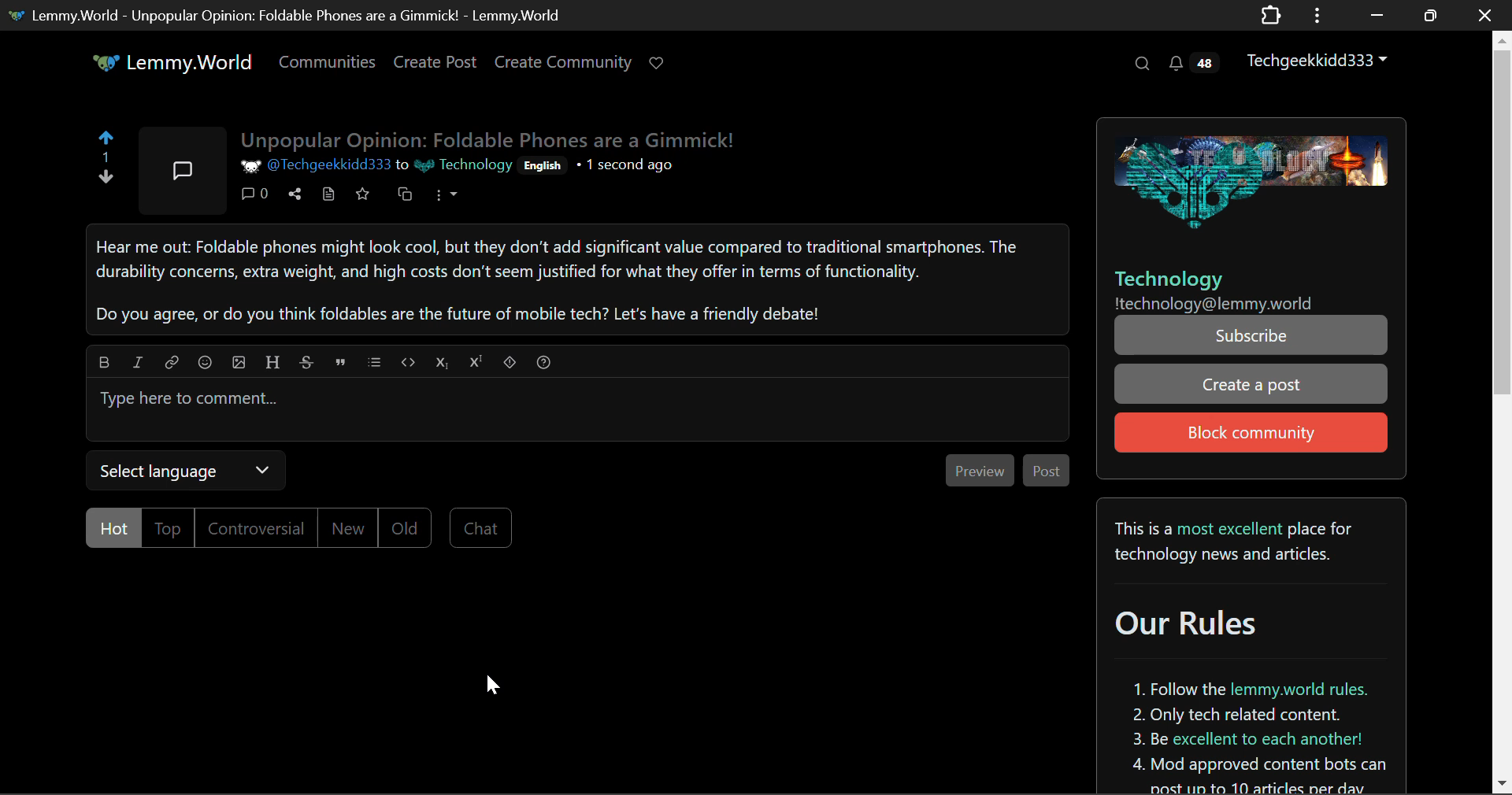 This screenshot has height=795, width=1512. I want to click on @Techgeekkidd333, so click(317, 168).